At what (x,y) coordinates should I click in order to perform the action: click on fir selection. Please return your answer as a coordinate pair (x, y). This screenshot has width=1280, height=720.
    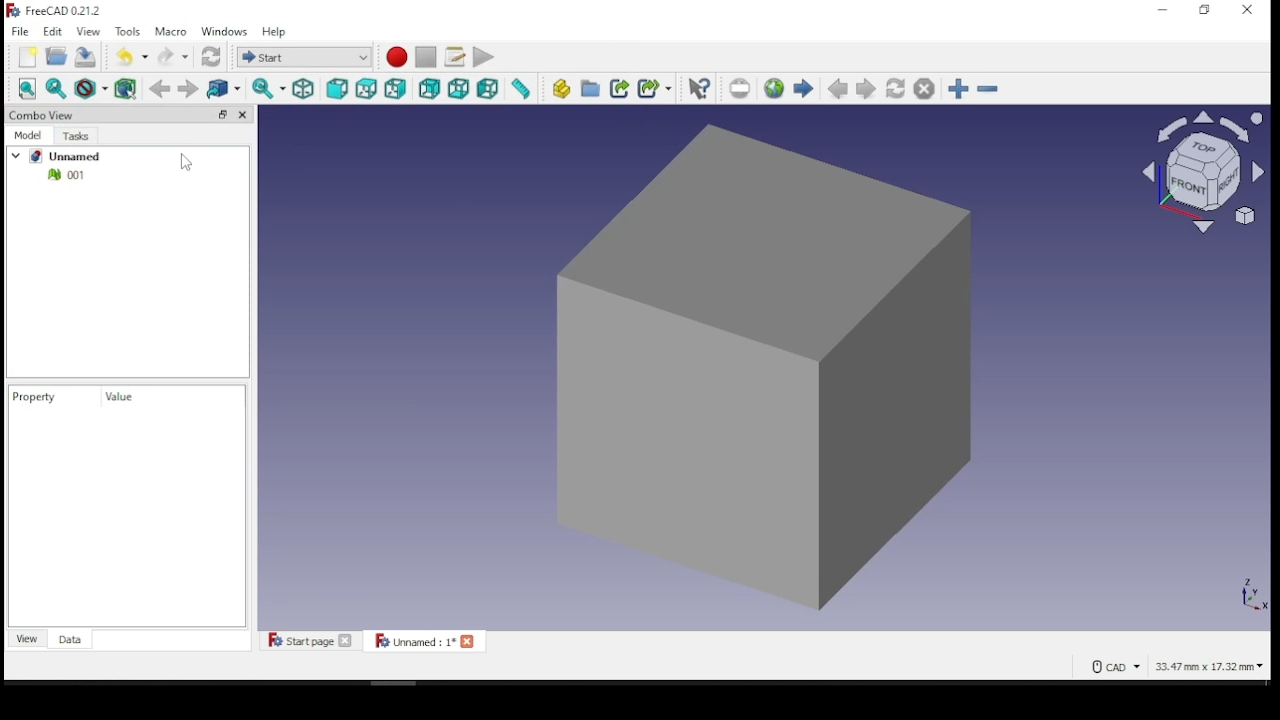
    Looking at the image, I should click on (57, 88).